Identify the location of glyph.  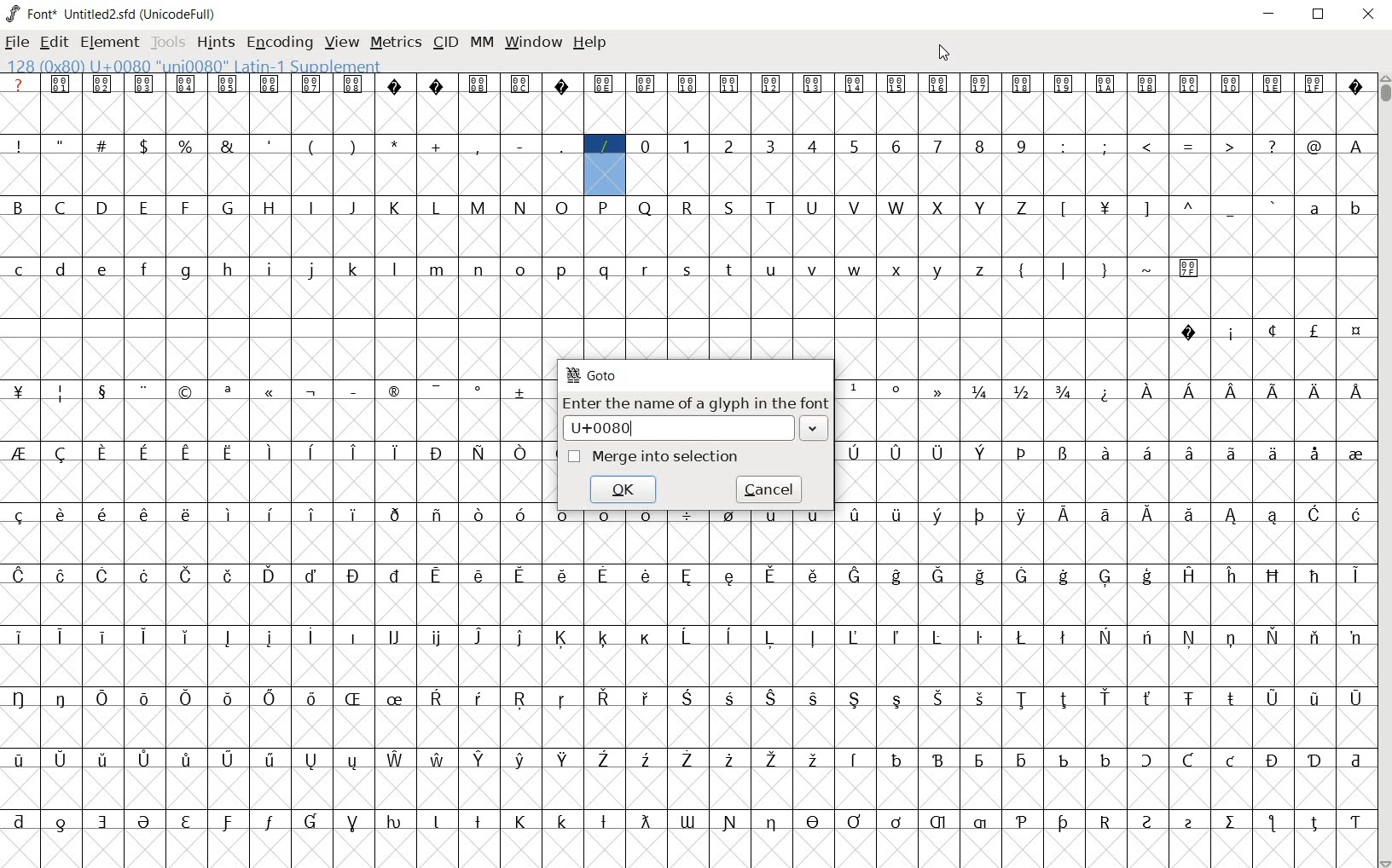
(1232, 576).